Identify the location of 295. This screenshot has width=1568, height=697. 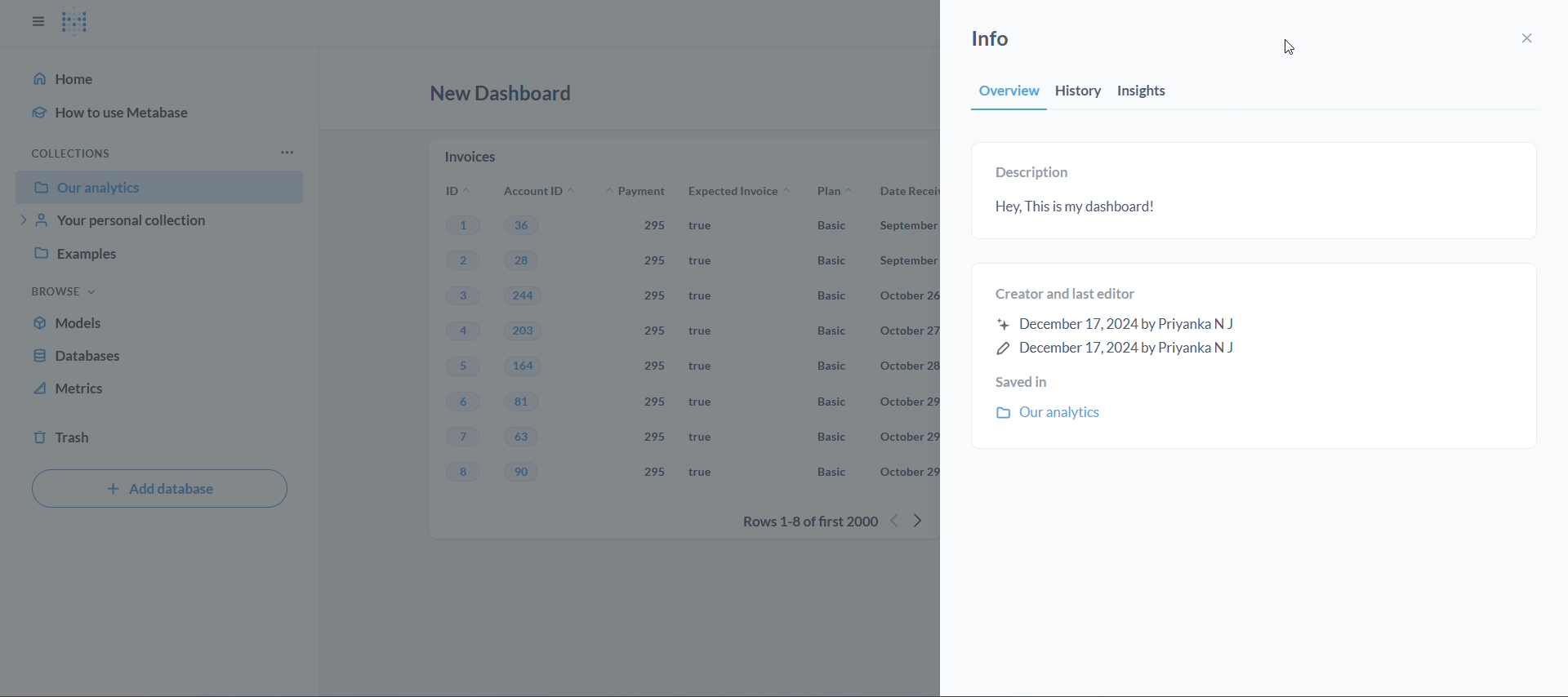
(659, 436).